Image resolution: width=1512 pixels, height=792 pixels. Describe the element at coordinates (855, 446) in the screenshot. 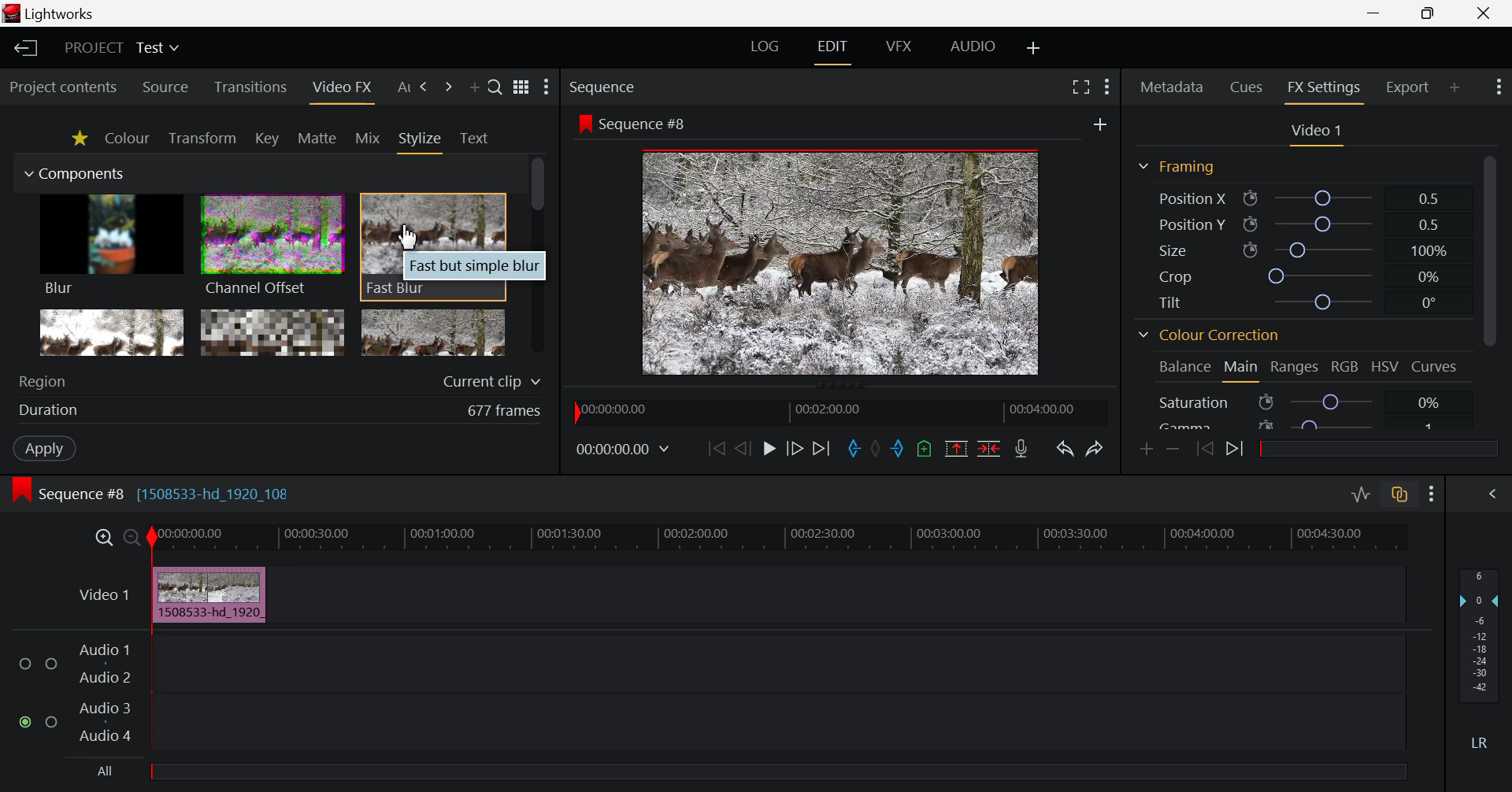

I see `Mark In` at that location.